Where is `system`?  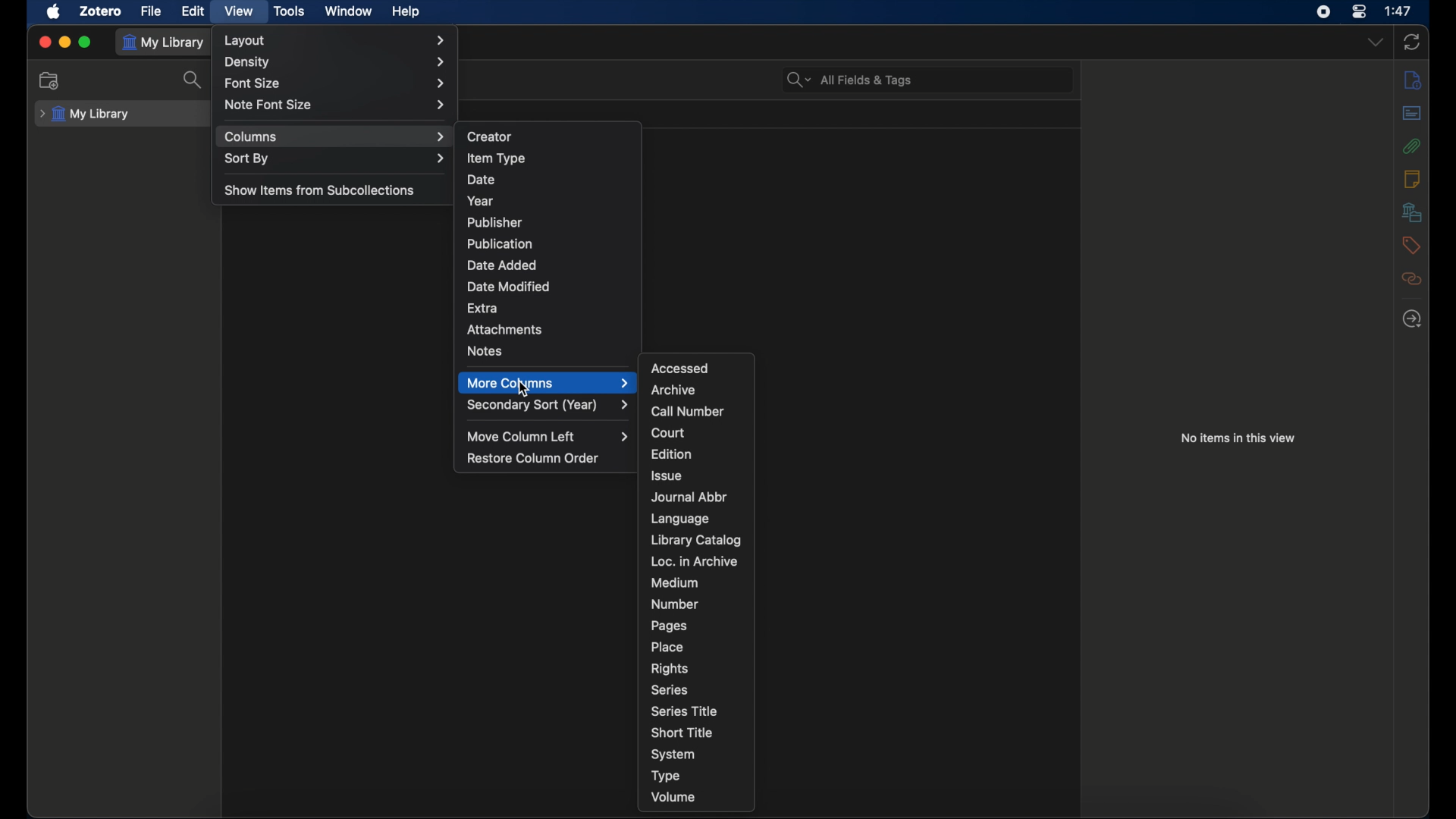 system is located at coordinates (673, 755).